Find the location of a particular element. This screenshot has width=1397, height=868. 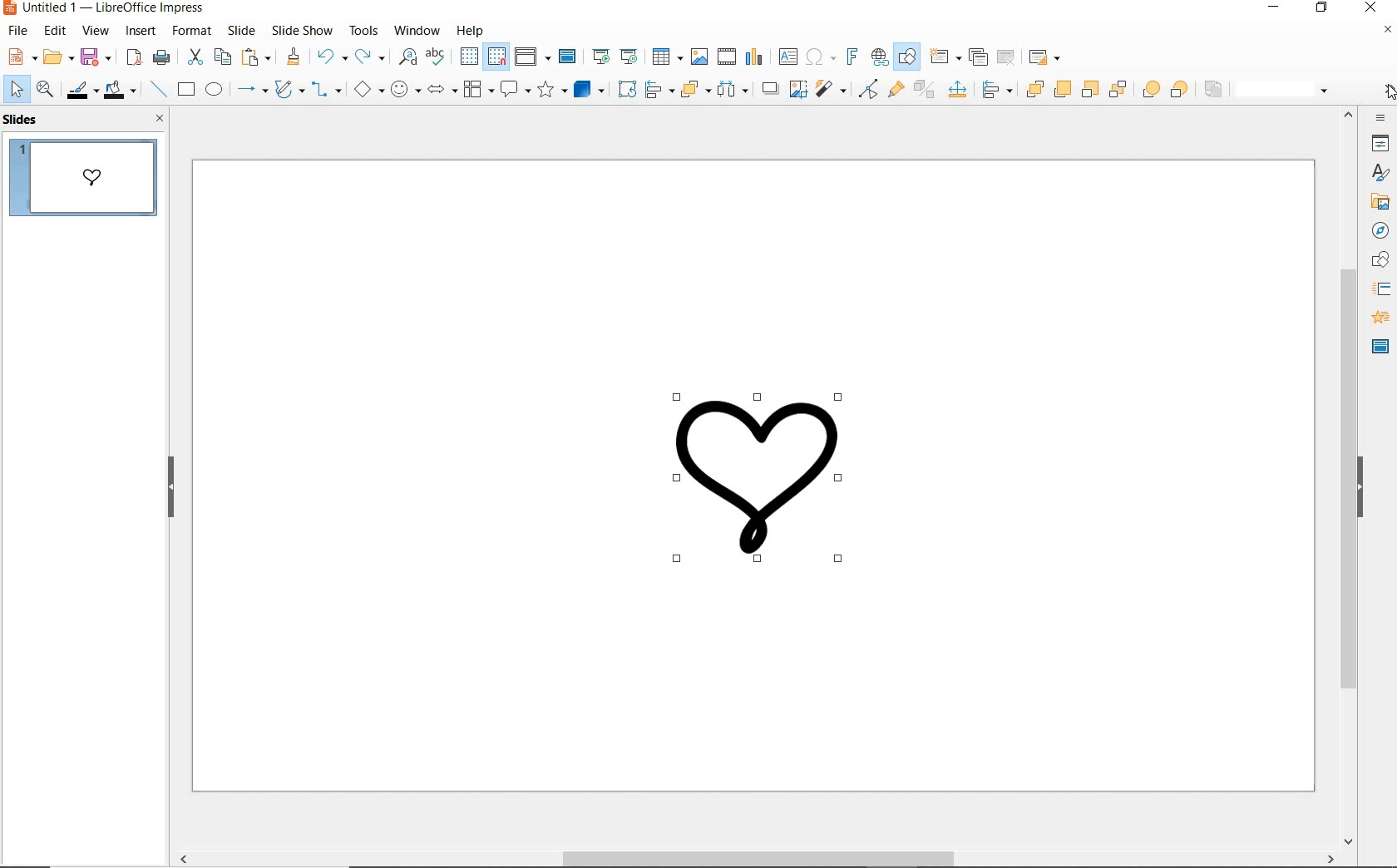

insert line is located at coordinates (157, 90).